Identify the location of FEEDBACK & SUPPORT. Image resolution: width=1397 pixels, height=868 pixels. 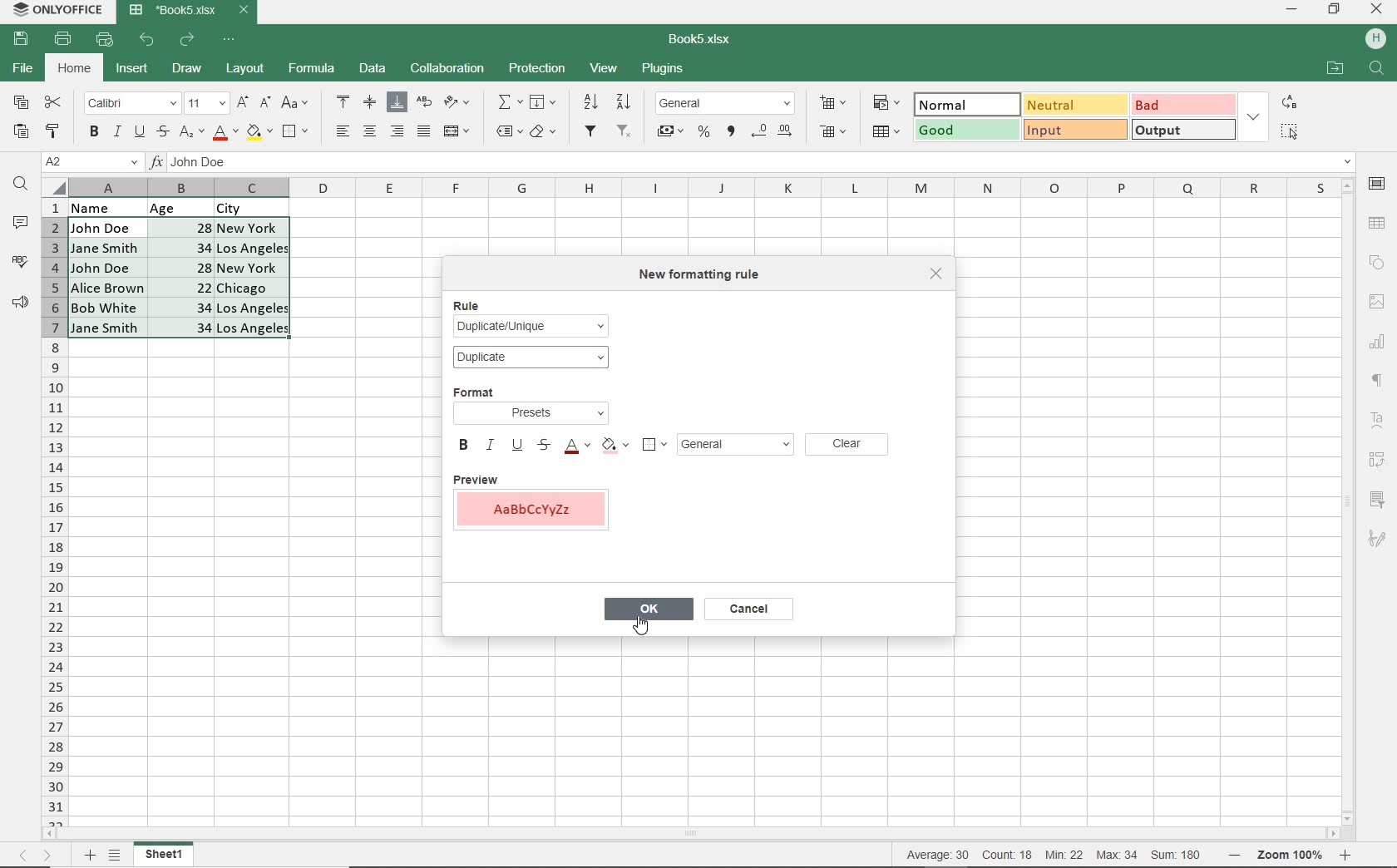
(21, 302).